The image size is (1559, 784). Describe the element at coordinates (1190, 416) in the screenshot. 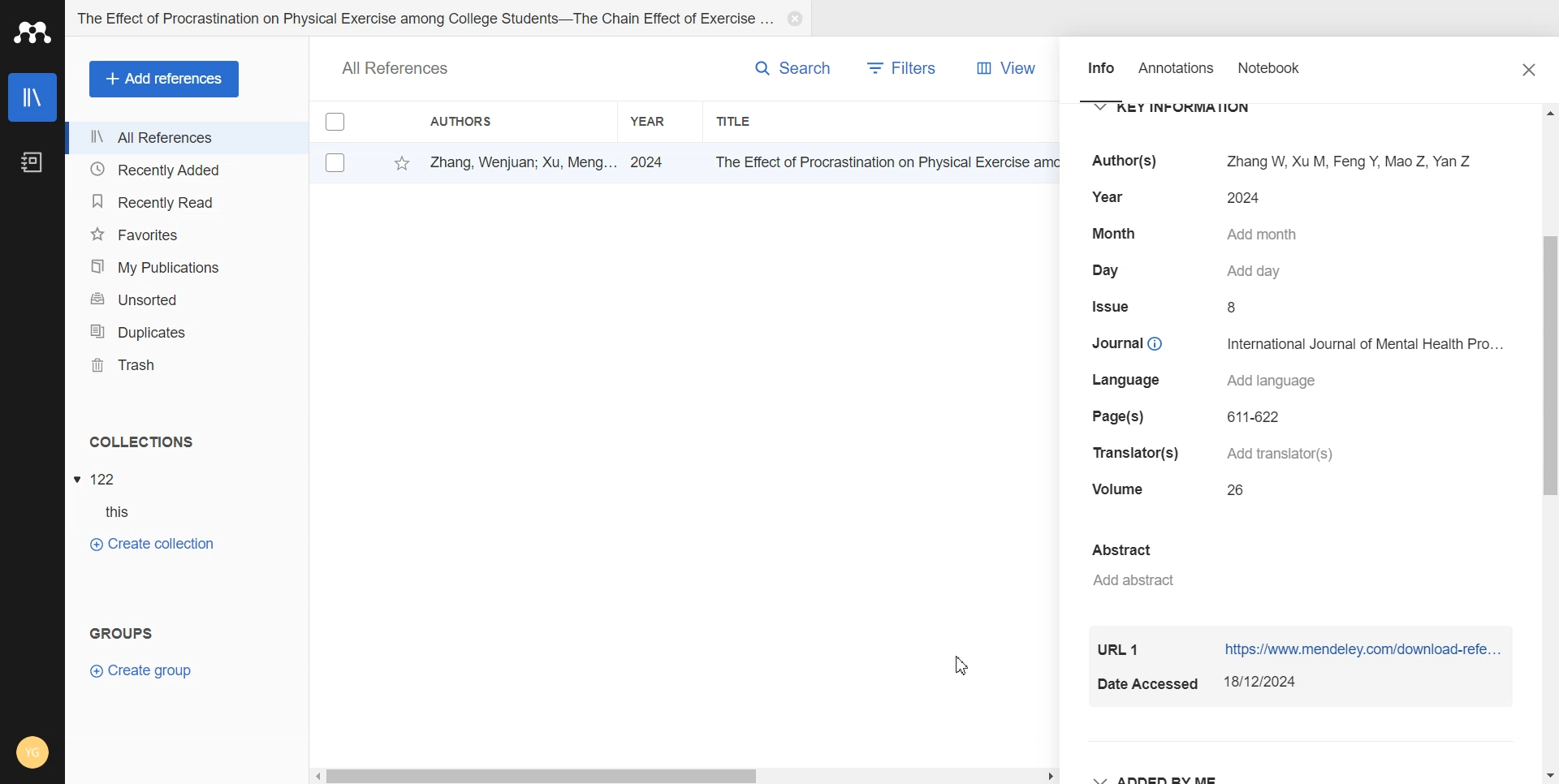

I see `Page(s) 611-622` at that location.